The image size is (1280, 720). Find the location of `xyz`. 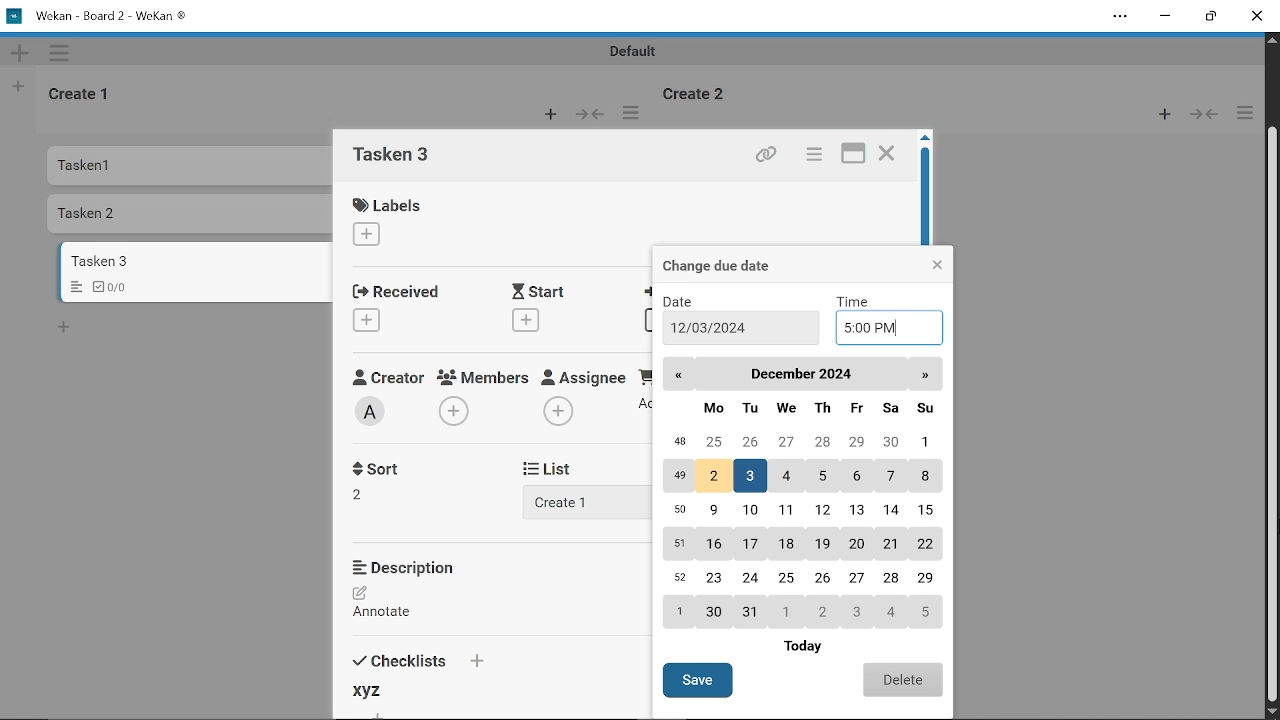

xyz is located at coordinates (376, 690).